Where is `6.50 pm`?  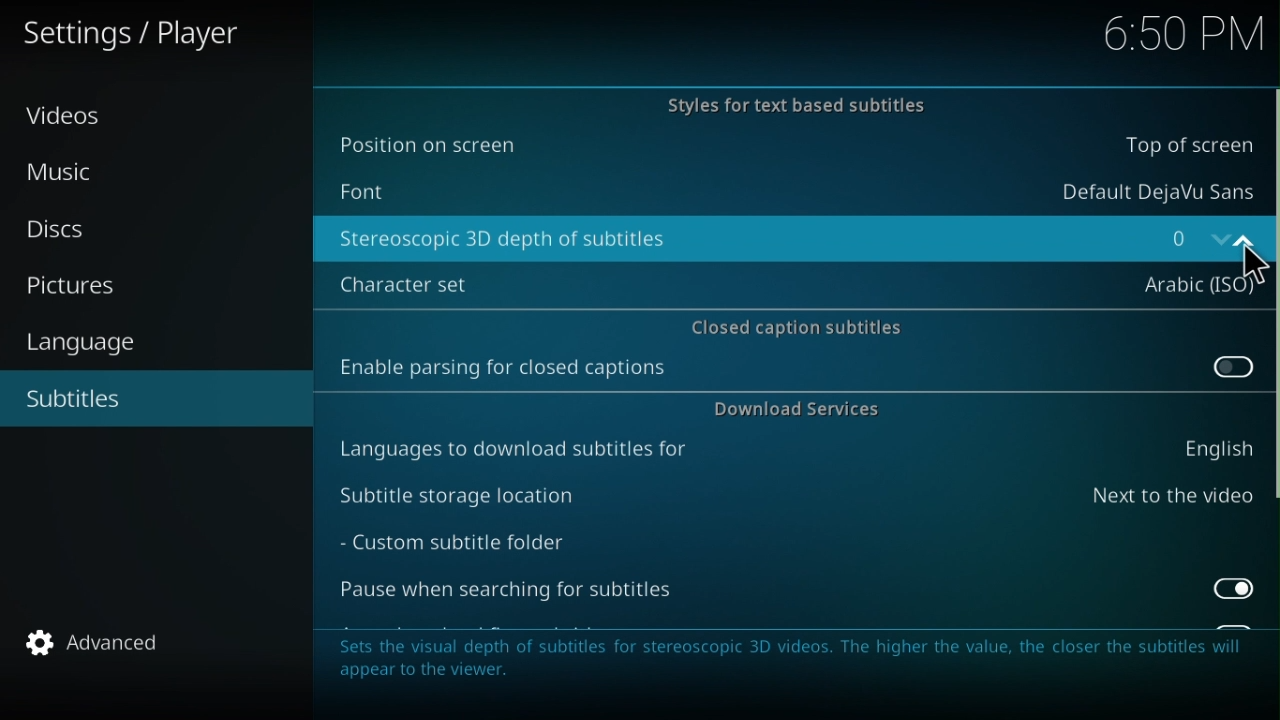
6.50 pm is located at coordinates (1179, 33).